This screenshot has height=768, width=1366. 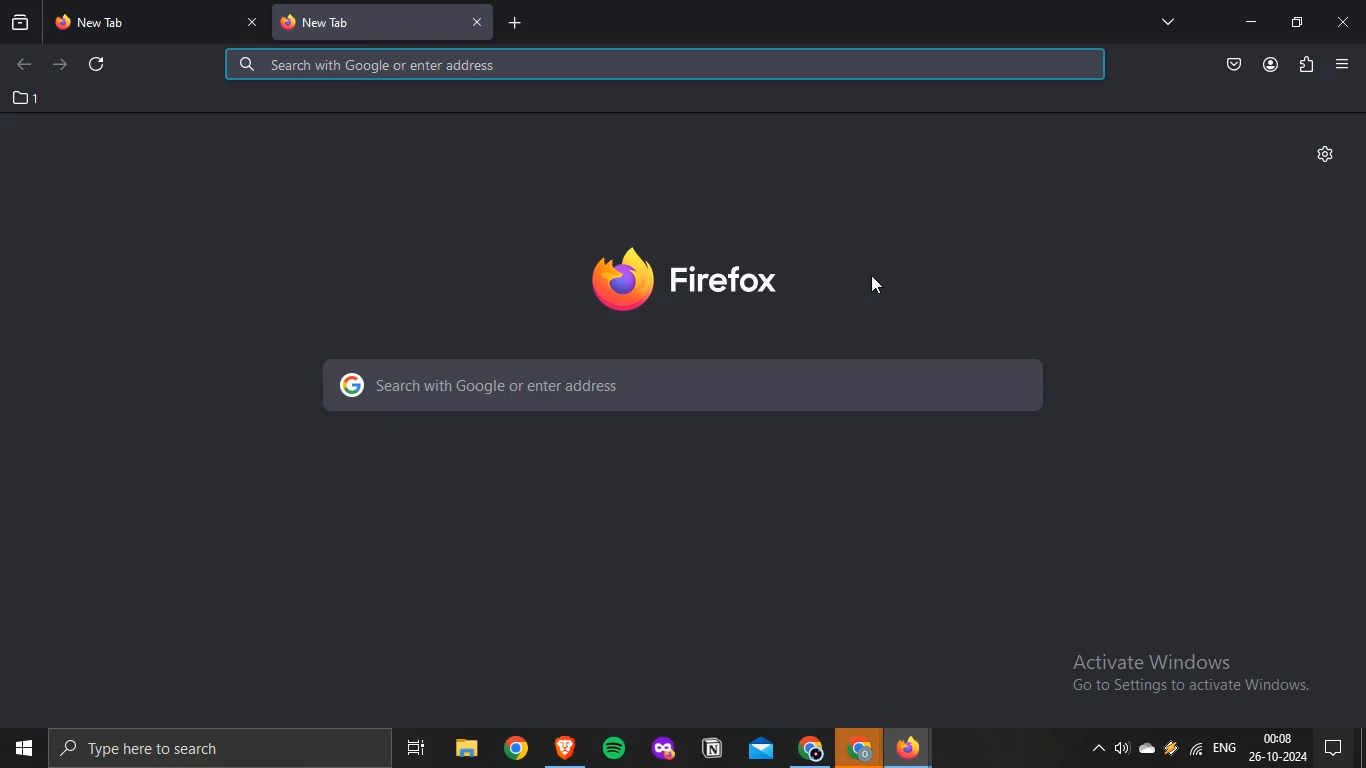 What do you see at coordinates (1150, 750) in the screenshot?
I see `storage` at bounding box center [1150, 750].